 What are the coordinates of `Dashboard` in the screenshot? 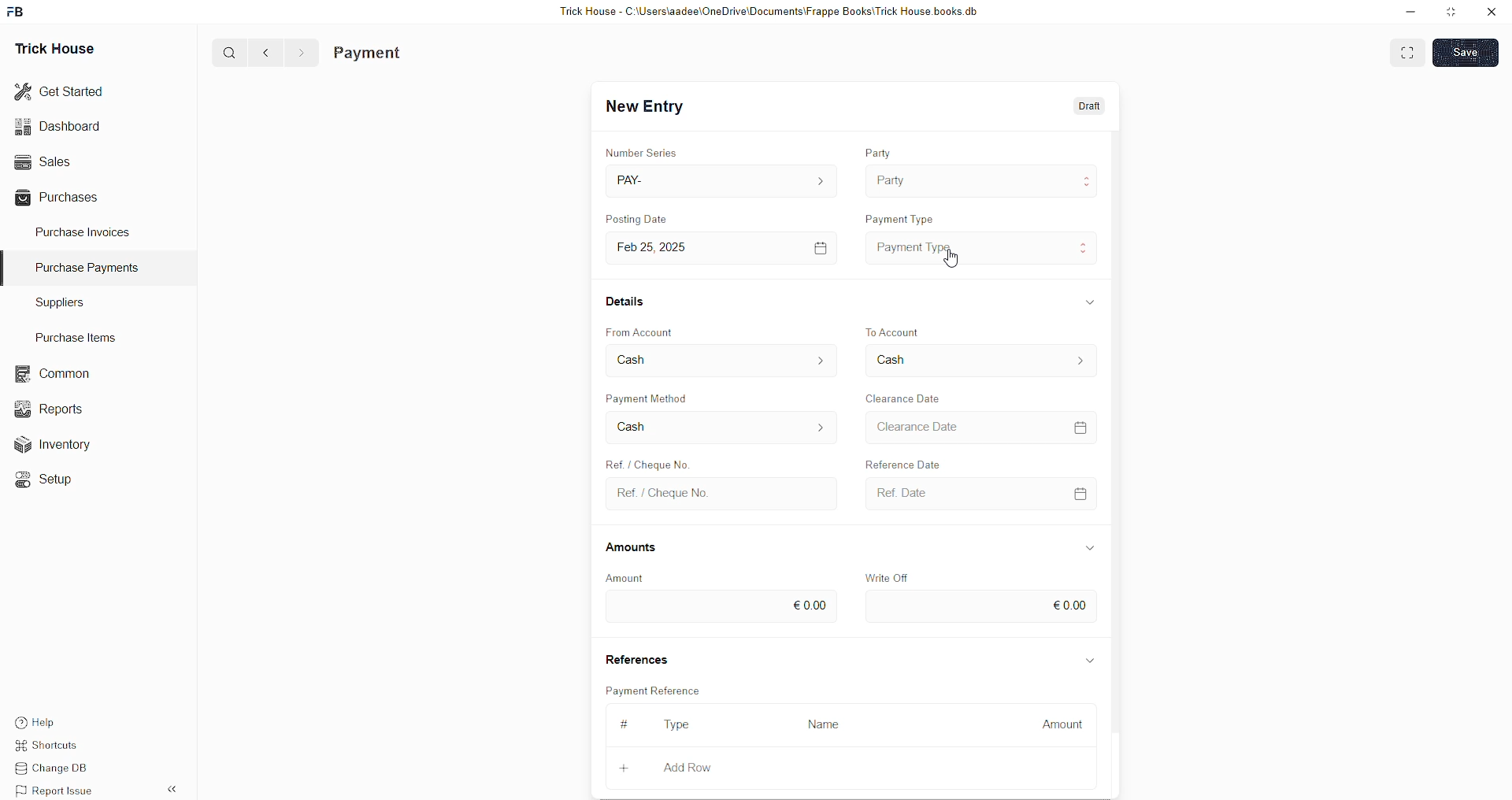 It's located at (61, 126).